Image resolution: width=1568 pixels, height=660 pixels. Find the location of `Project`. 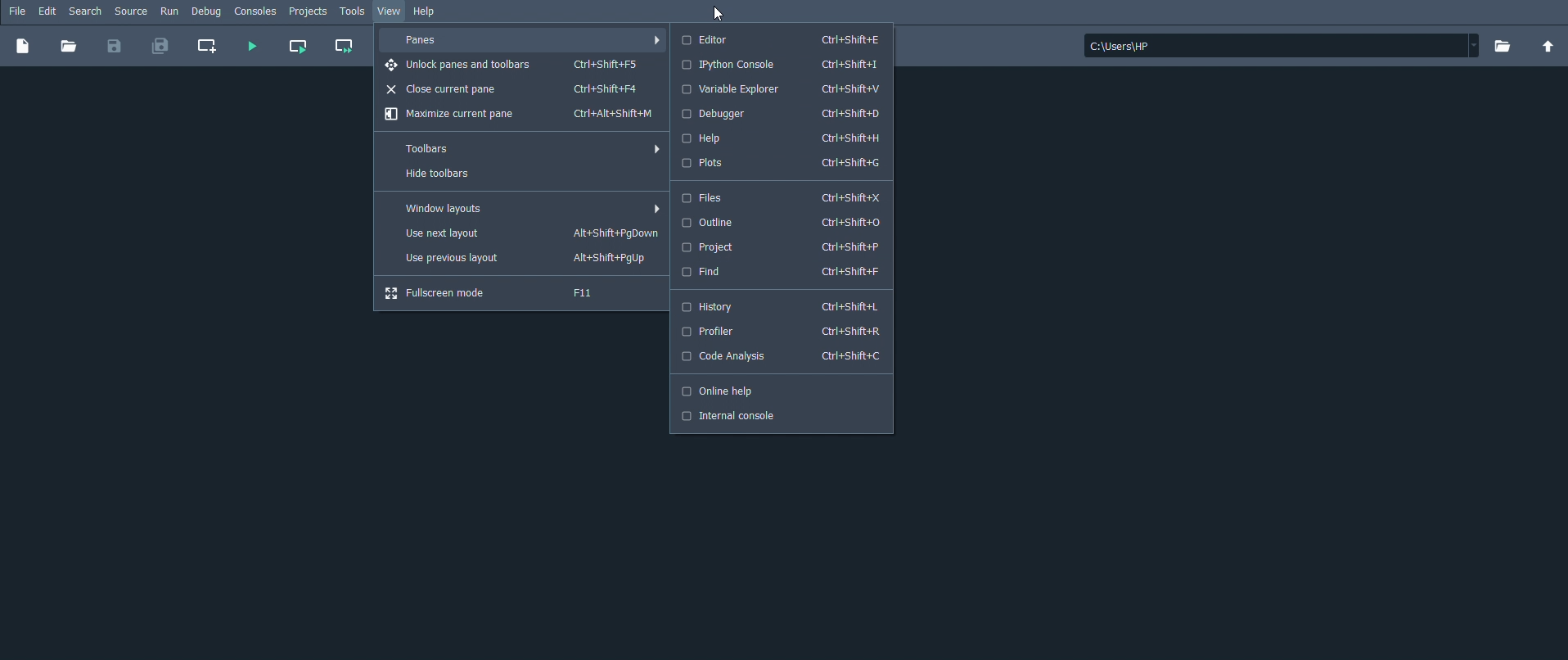

Project is located at coordinates (785, 246).